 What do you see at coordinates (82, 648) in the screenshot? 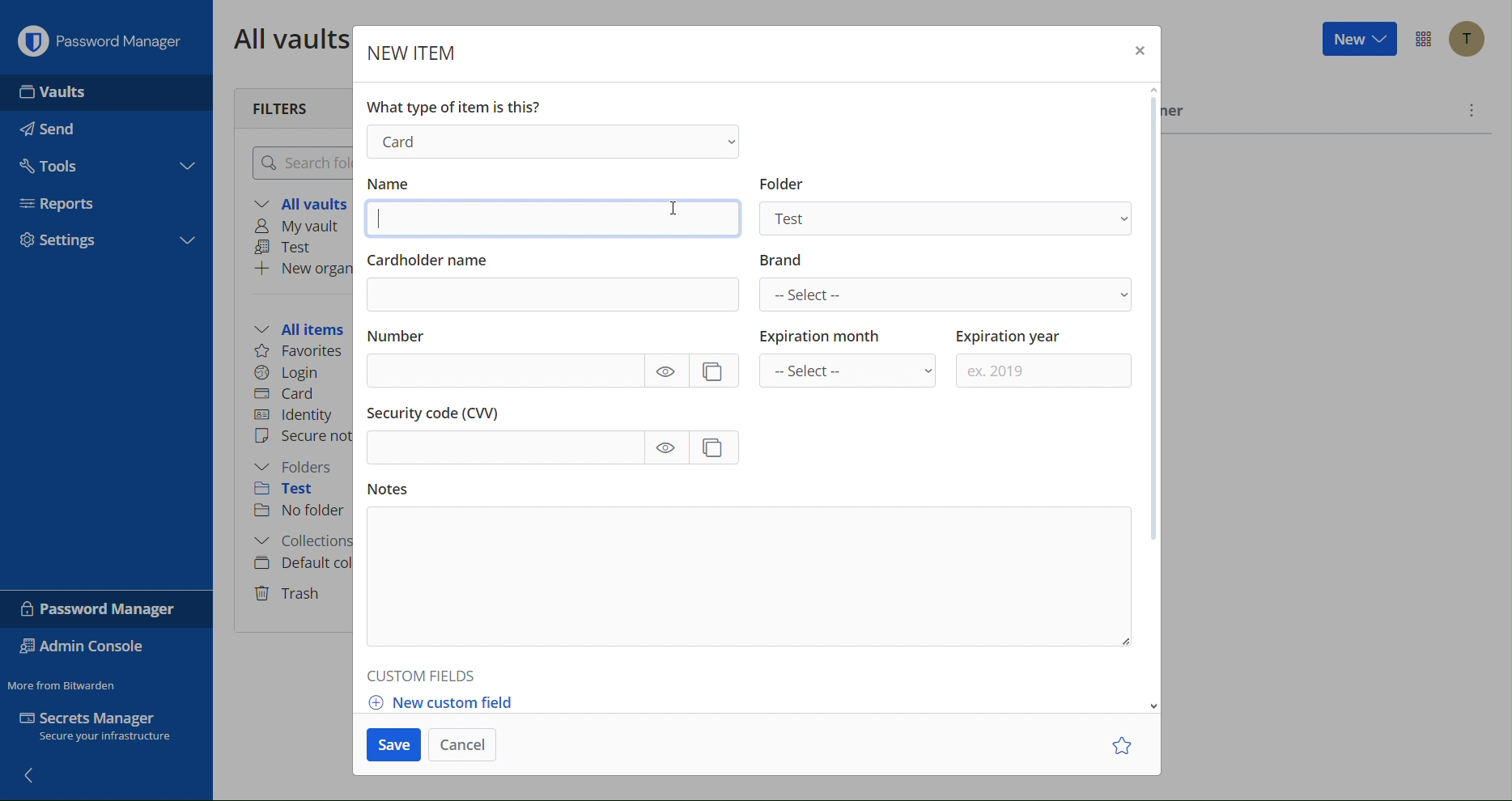
I see `Admin Console` at bounding box center [82, 648].